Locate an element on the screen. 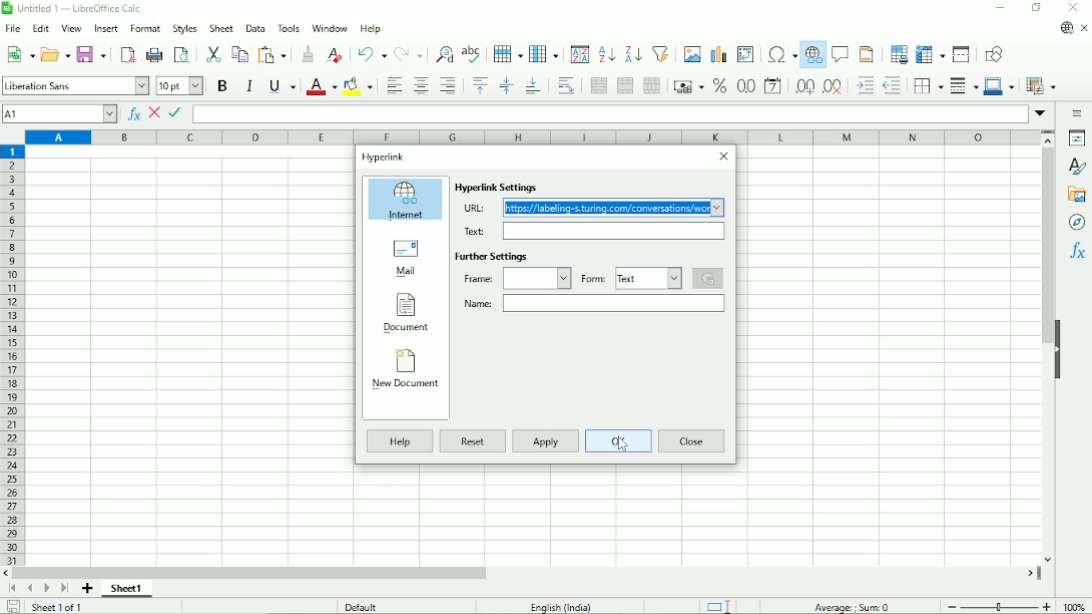  Border color is located at coordinates (1000, 87).